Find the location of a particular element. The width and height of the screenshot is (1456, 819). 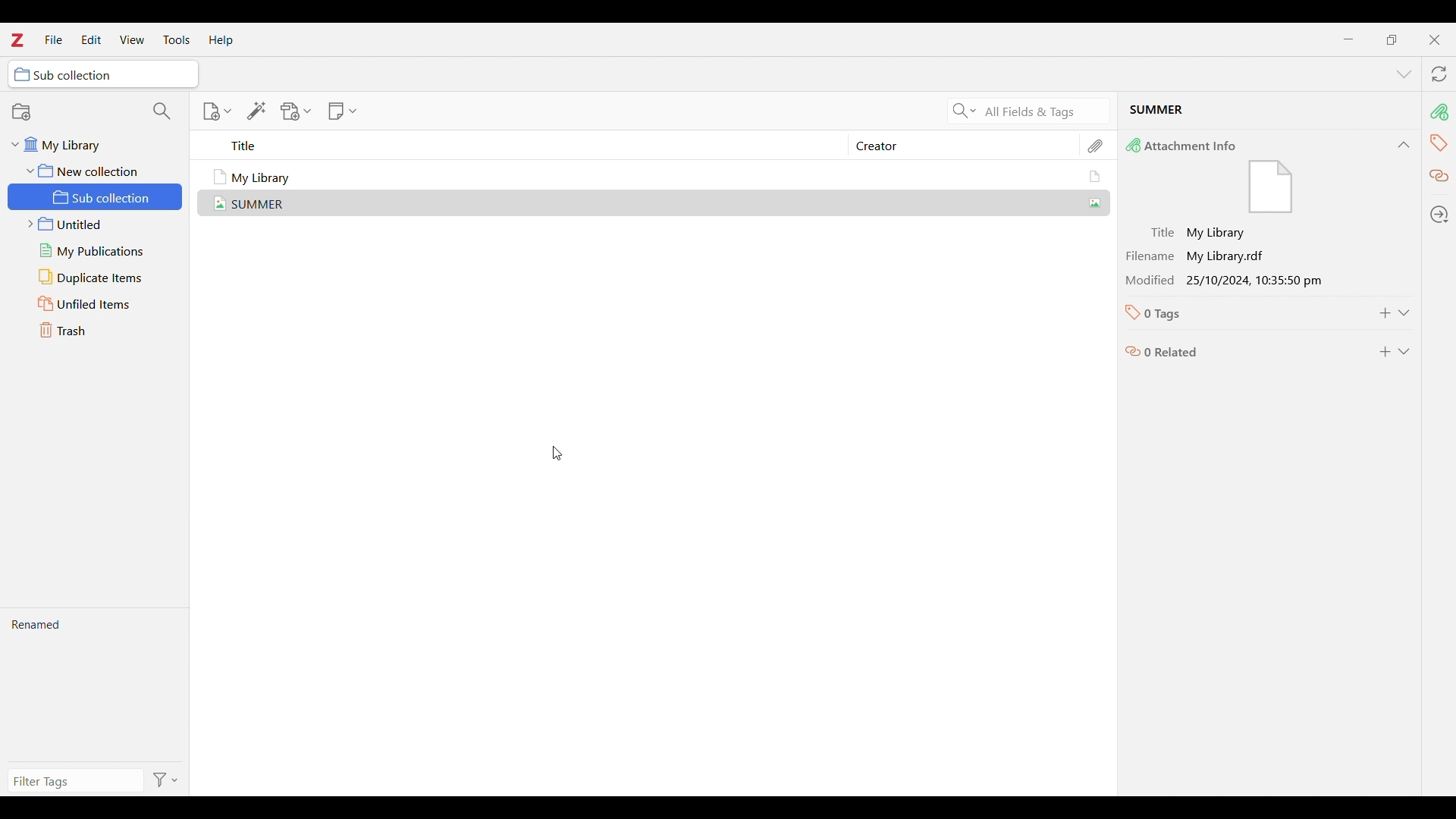

New item is located at coordinates (217, 111).